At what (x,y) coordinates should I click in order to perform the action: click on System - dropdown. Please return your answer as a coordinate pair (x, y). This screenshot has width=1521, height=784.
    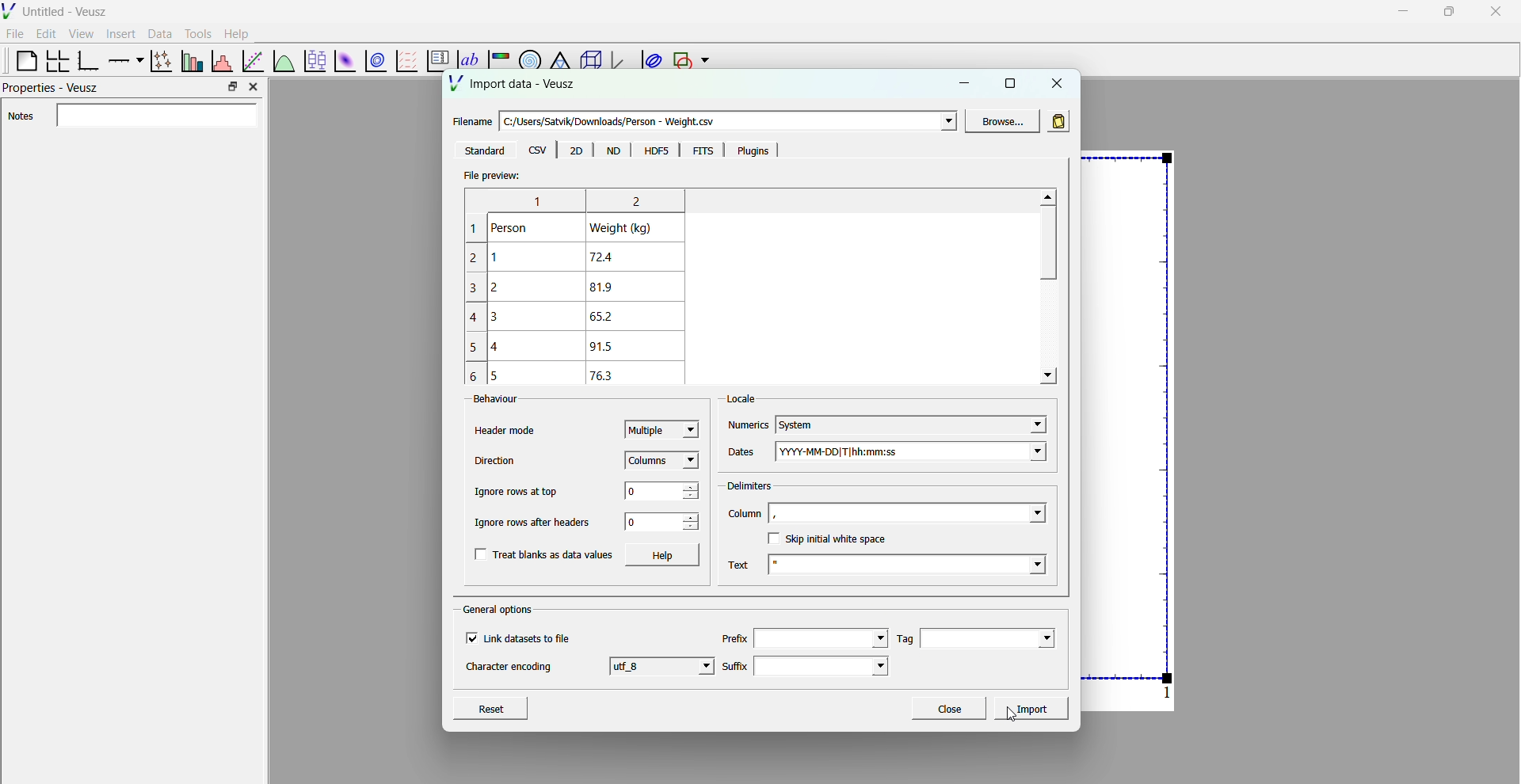
    Looking at the image, I should click on (909, 418).